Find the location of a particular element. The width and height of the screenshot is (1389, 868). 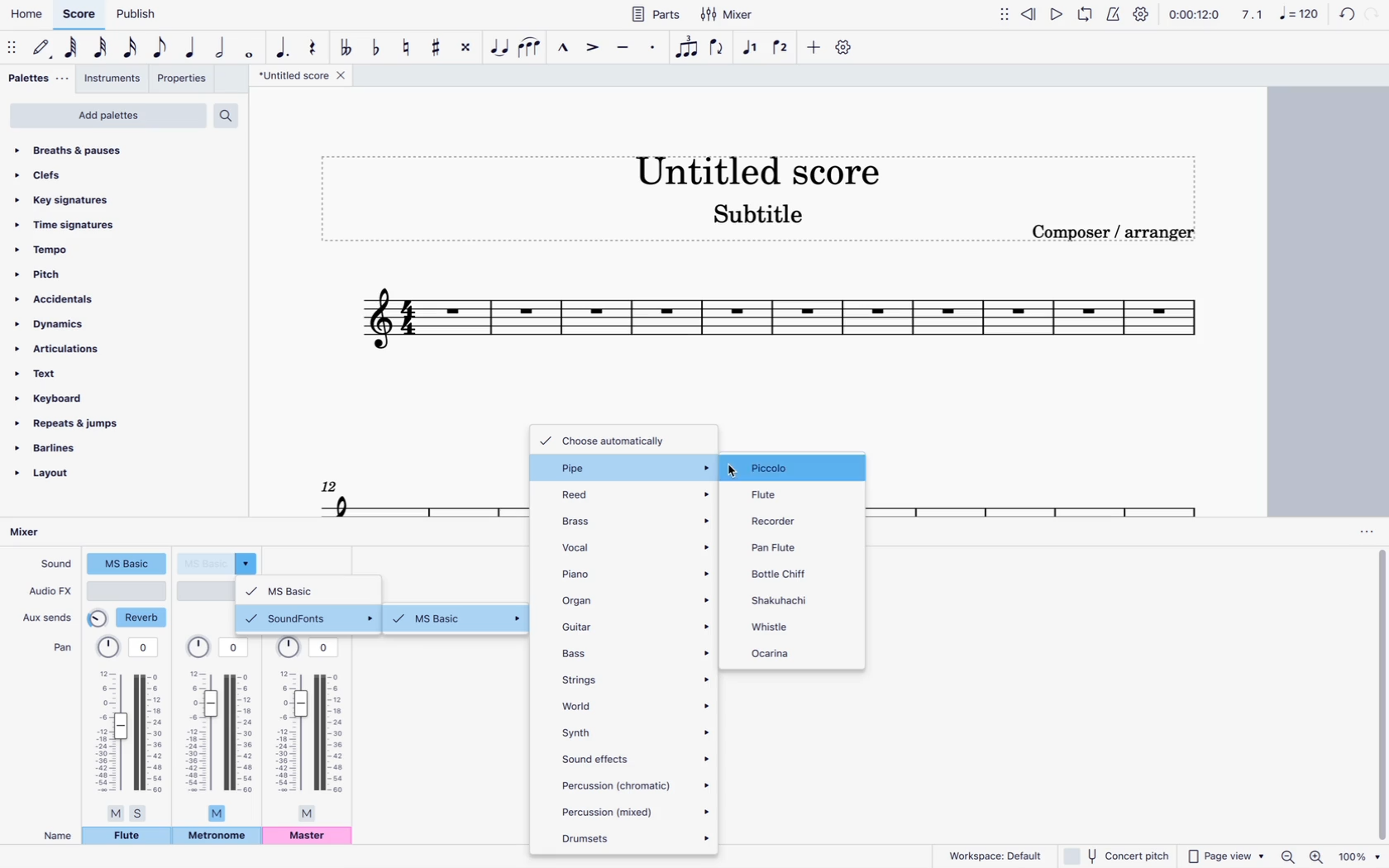

pan is located at coordinates (312, 729).